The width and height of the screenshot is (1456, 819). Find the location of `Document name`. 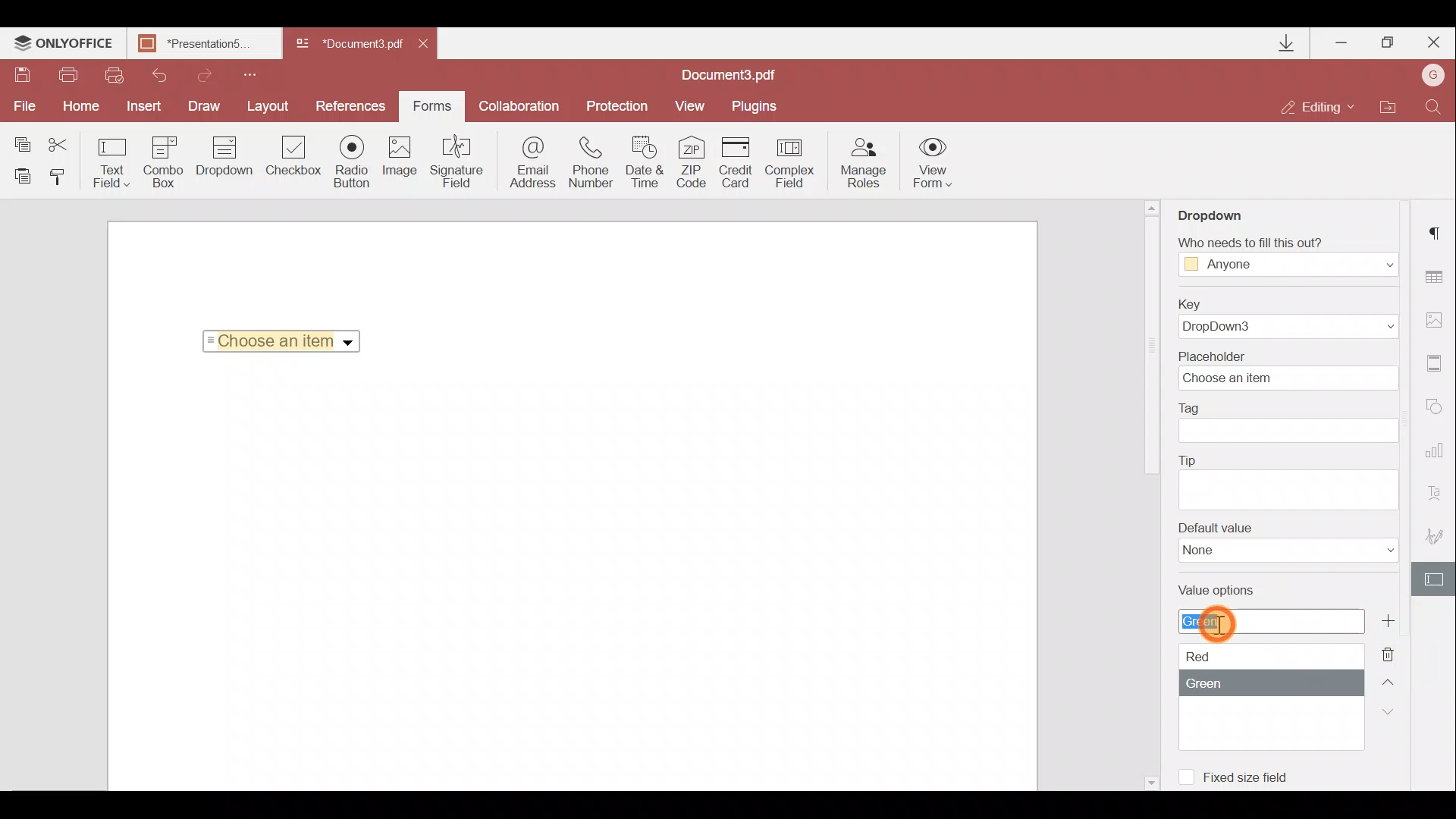

Document name is located at coordinates (209, 45).